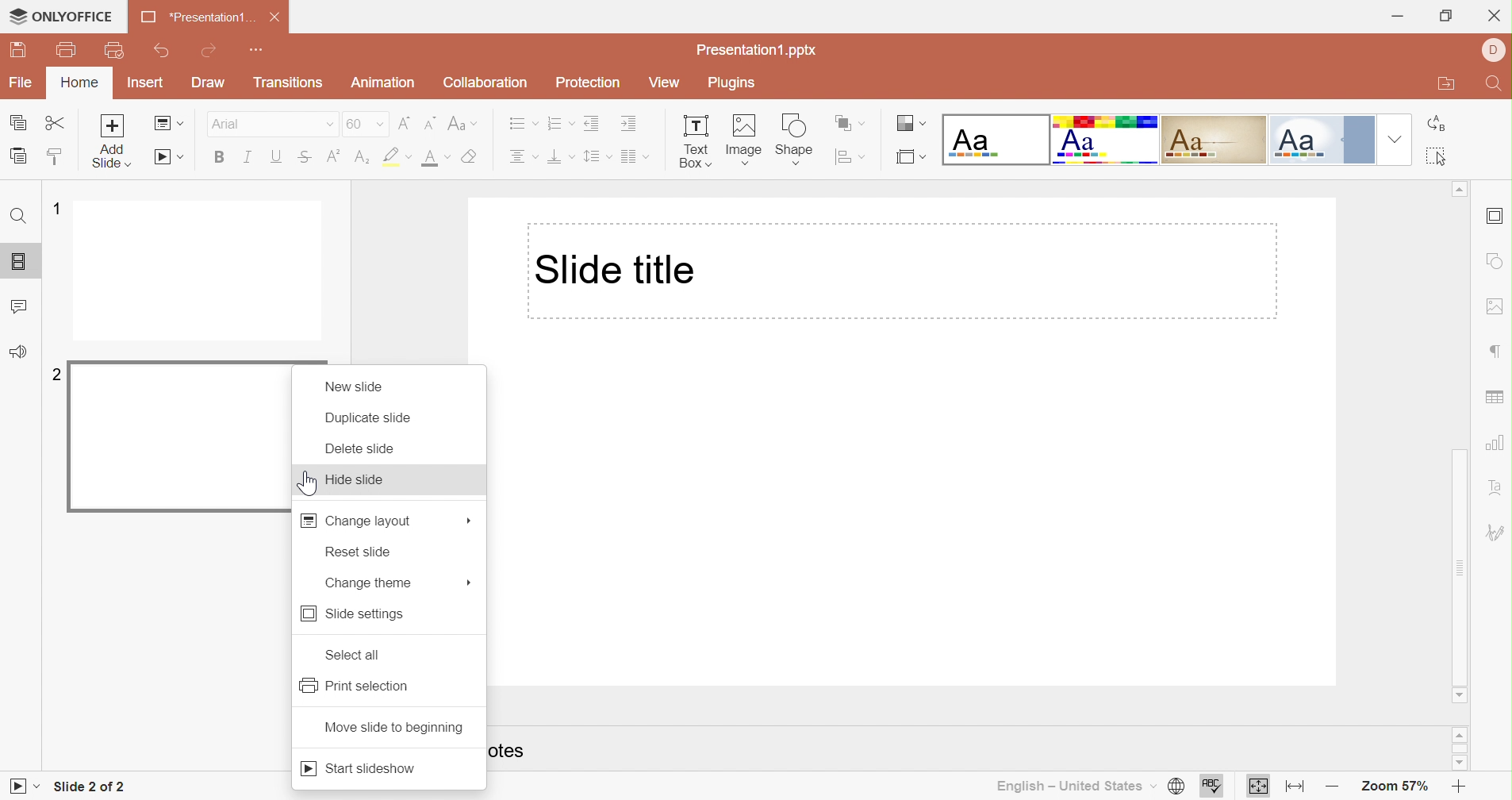  What do you see at coordinates (198, 17) in the screenshot?
I see `*Presentation1...` at bounding box center [198, 17].